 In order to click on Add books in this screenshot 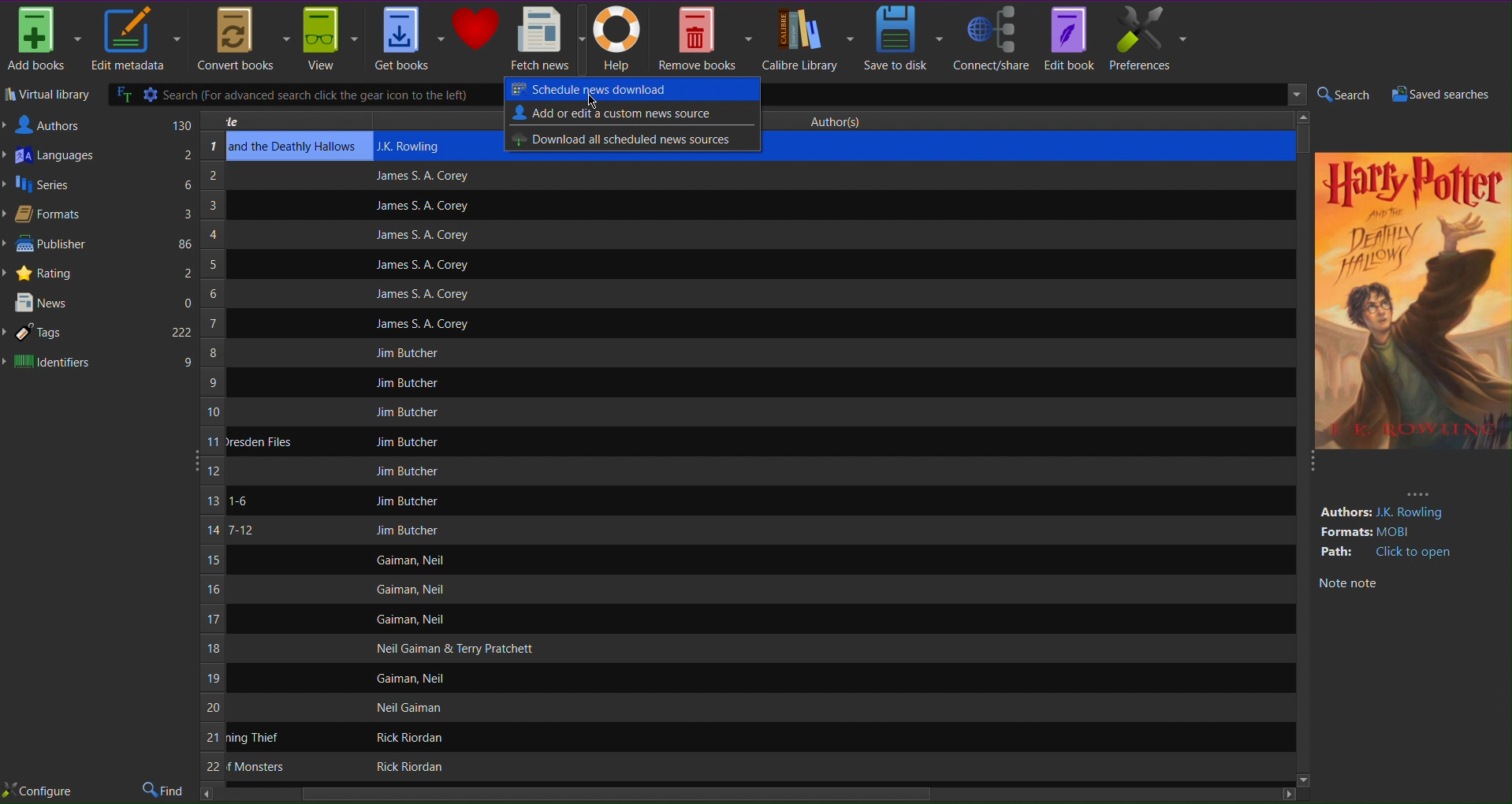, I will do `click(43, 39)`.